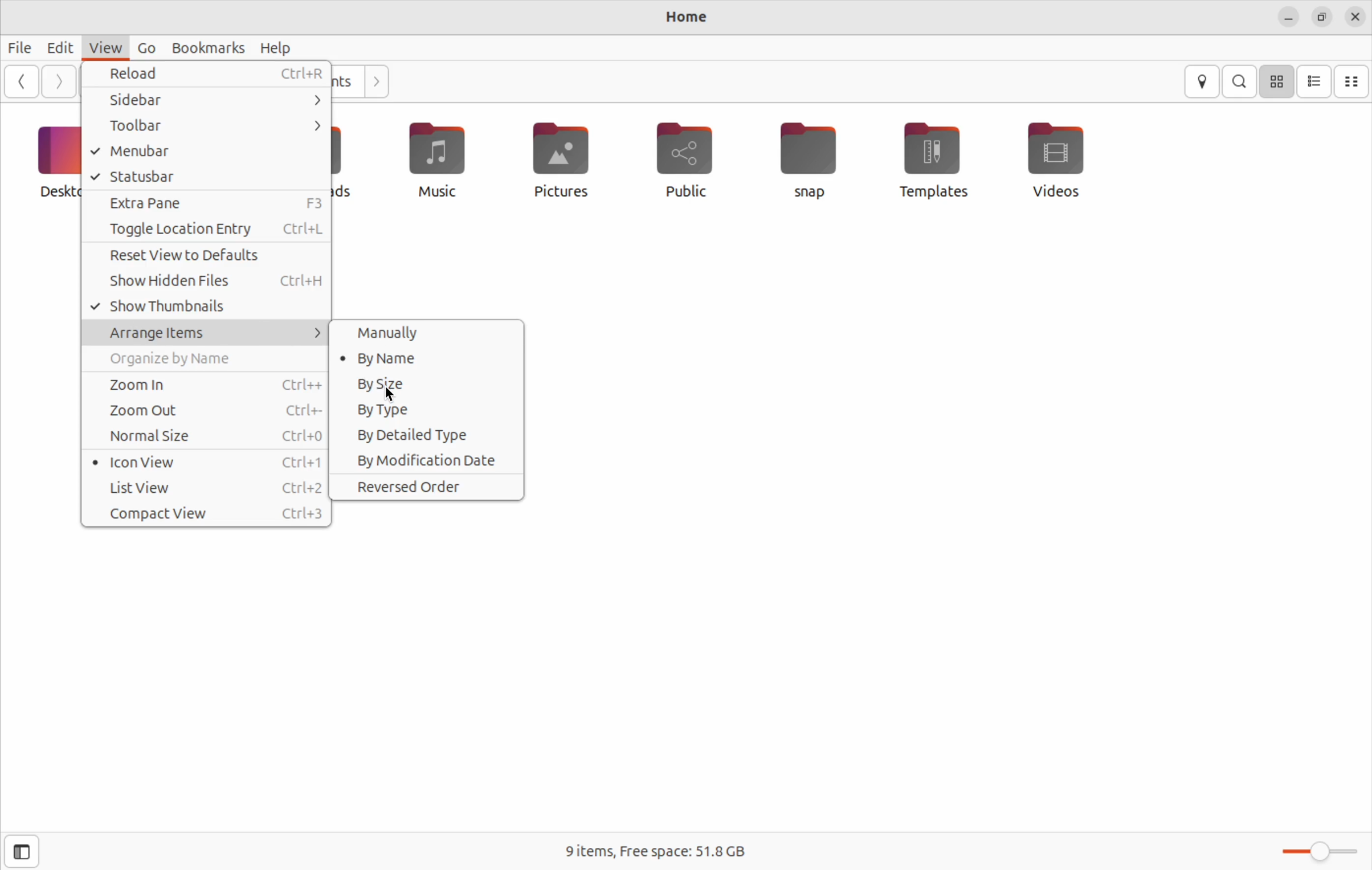 The height and width of the screenshot is (870, 1372). I want to click on by detailed type, so click(427, 435).